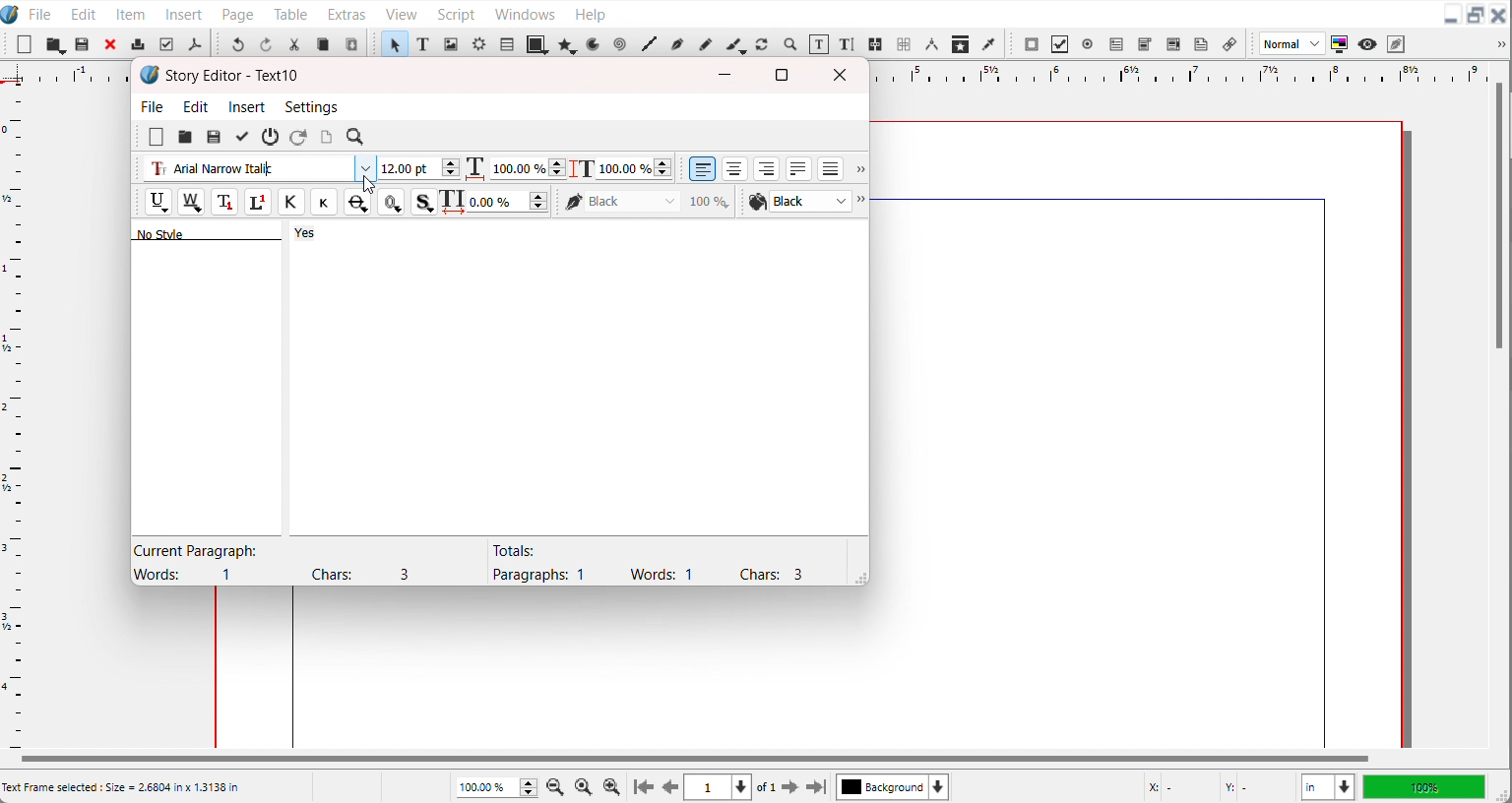 The height and width of the screenshot is (803, 1512). Describe the element at coordinates (649, 44) in the screenshot. I see `Line` at that location.